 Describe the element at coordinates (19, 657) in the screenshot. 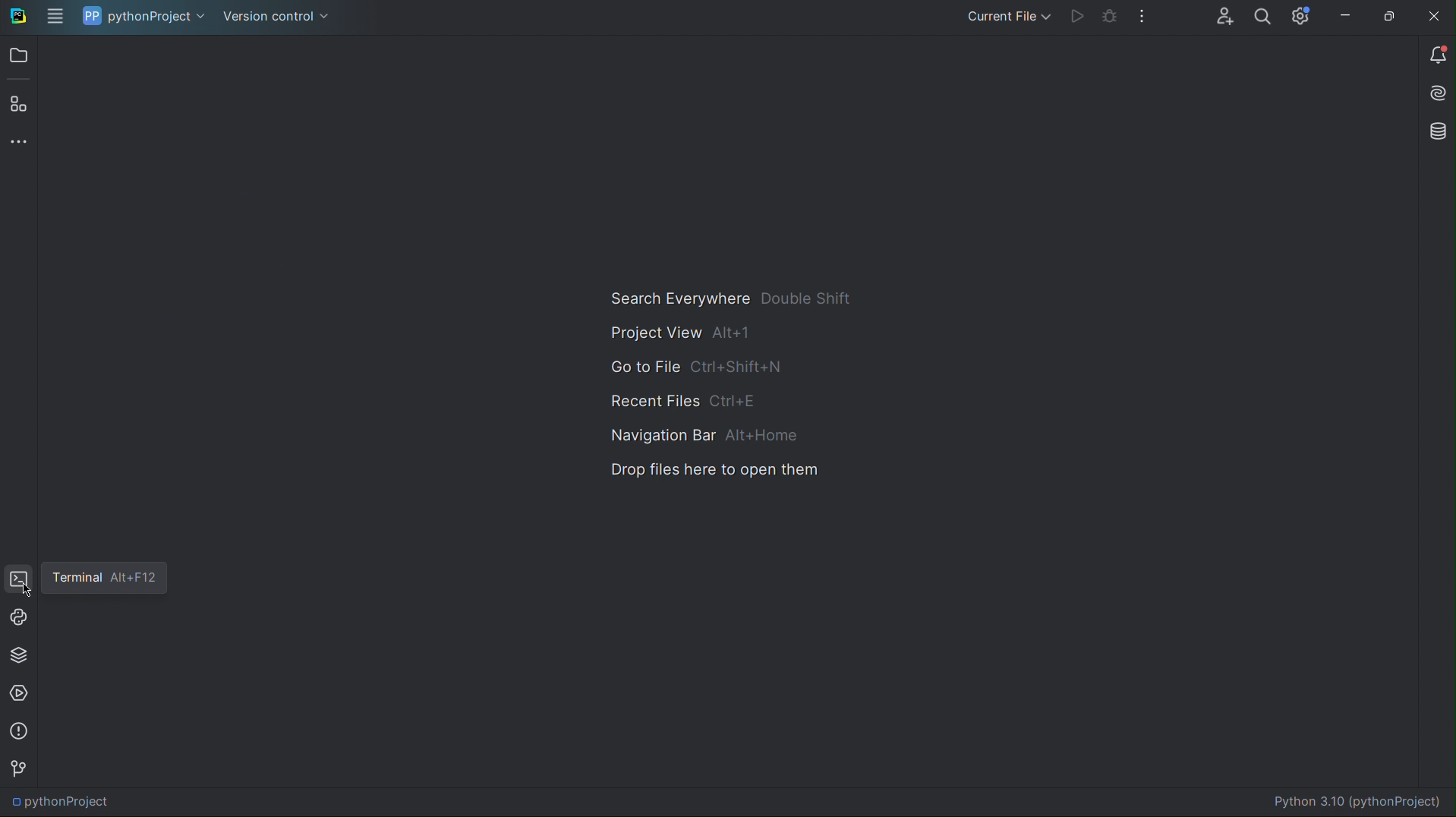

I see `Python Packages` at that location.